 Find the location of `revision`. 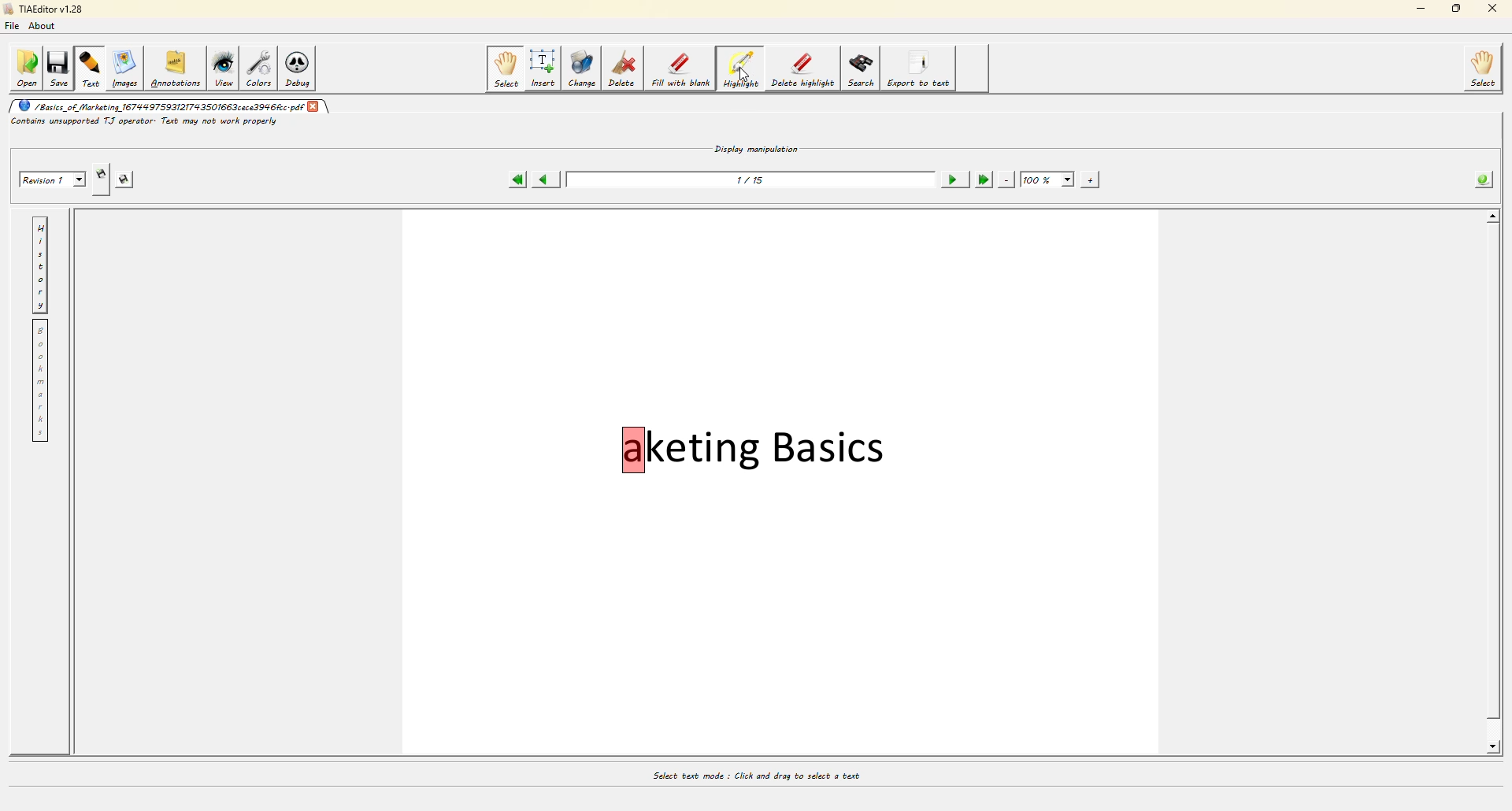

revision is located at coordinates (50, 178).